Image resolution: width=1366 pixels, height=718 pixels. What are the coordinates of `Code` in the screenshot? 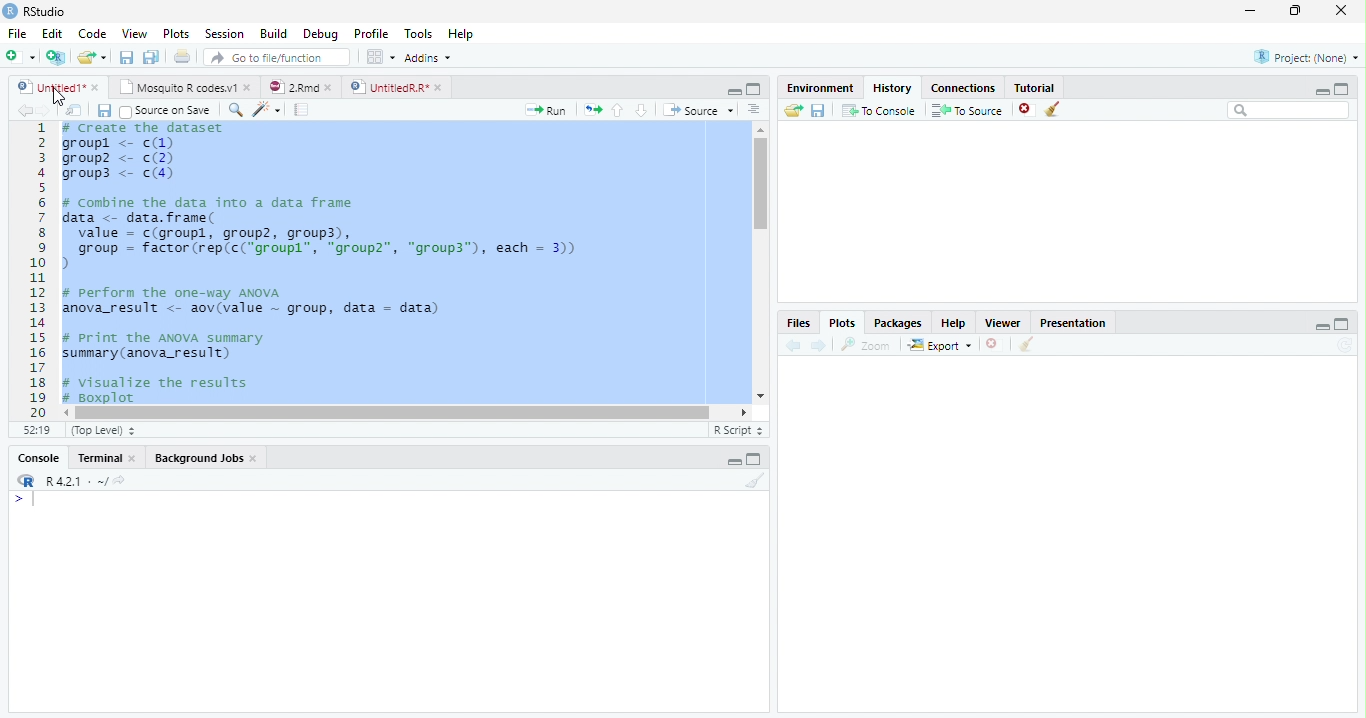 It's located at (90, 34).